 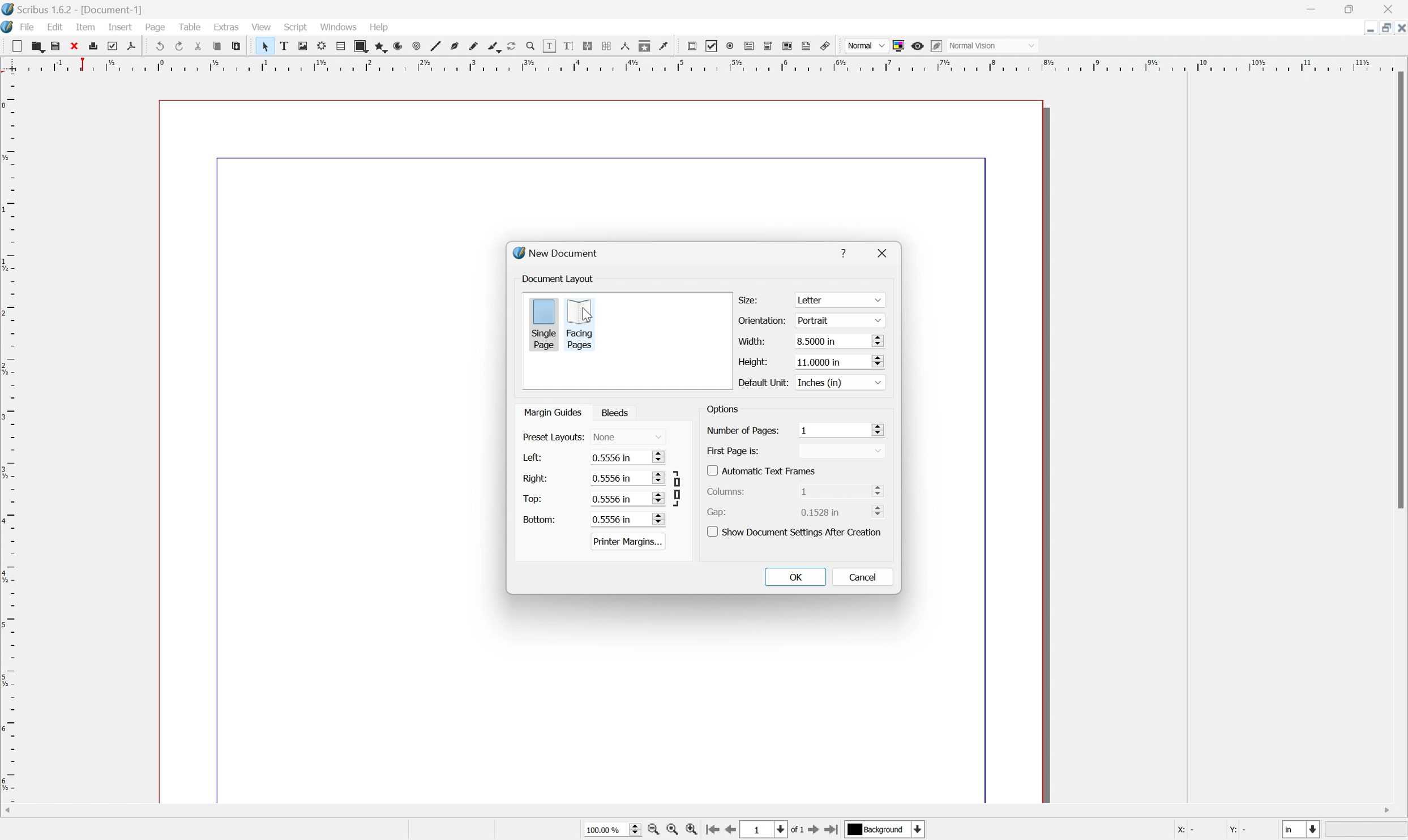 What do you see at coordinates (320, 46) in the screenshot?
I see `Render frame` at bounding box center [320, 46].